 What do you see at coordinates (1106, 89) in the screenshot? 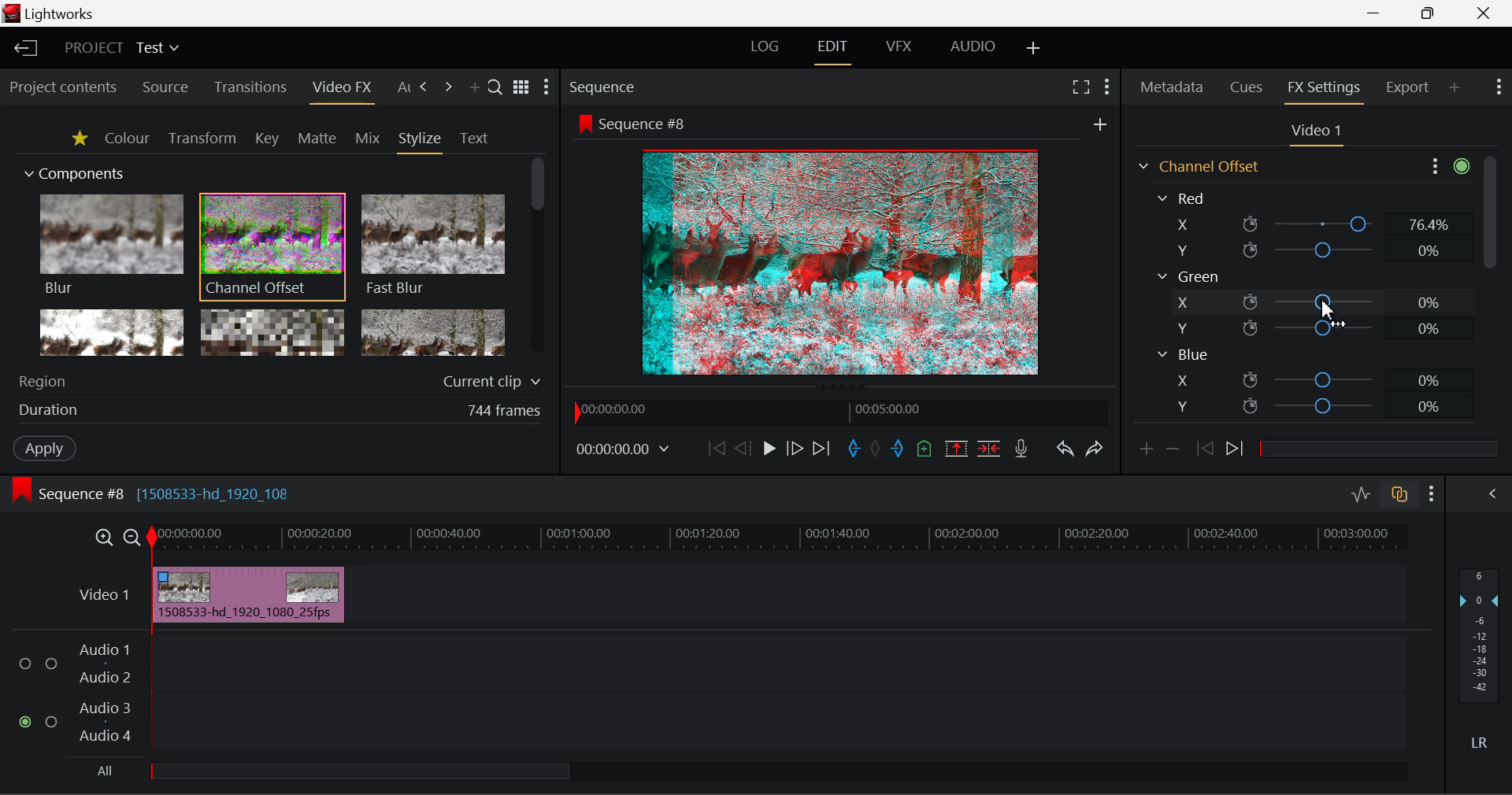
I see `Show Settings` at bounding box center [1106, 89].